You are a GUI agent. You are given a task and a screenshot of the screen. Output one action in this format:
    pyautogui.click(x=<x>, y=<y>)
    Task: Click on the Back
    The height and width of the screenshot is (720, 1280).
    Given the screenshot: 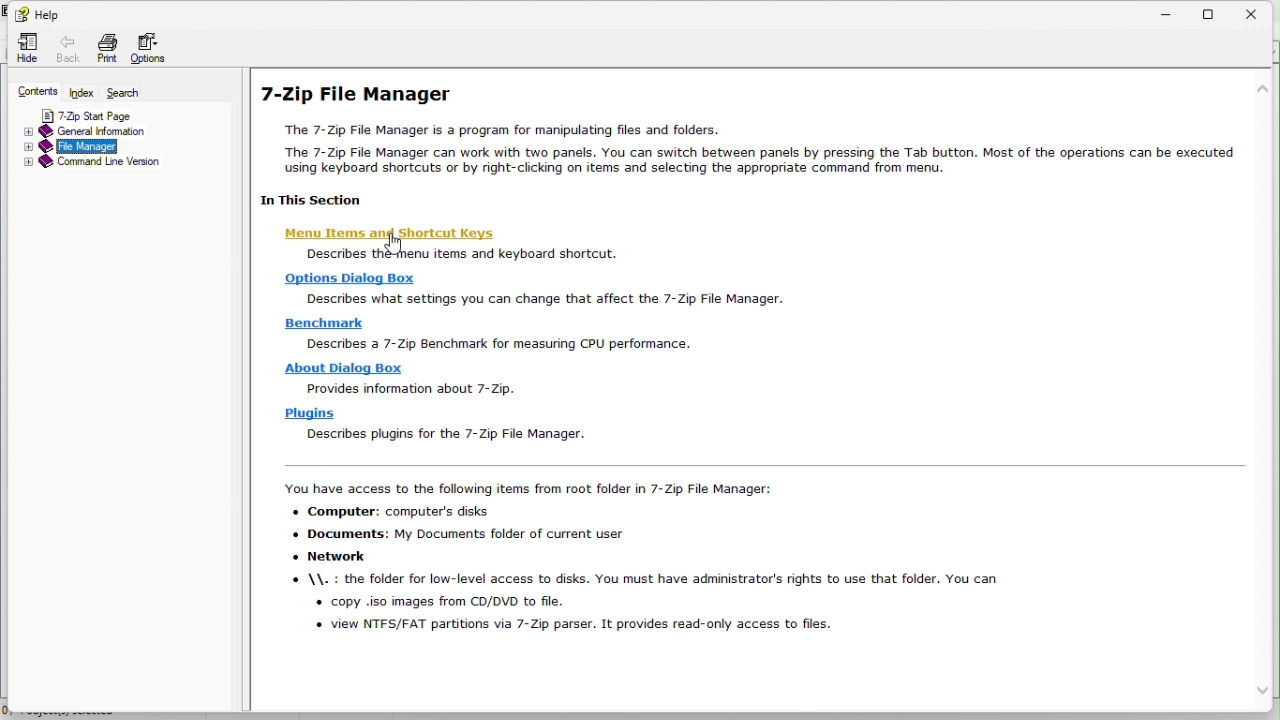 What is the action you would take?
    pyautogui.click(x=65, y=50)
    